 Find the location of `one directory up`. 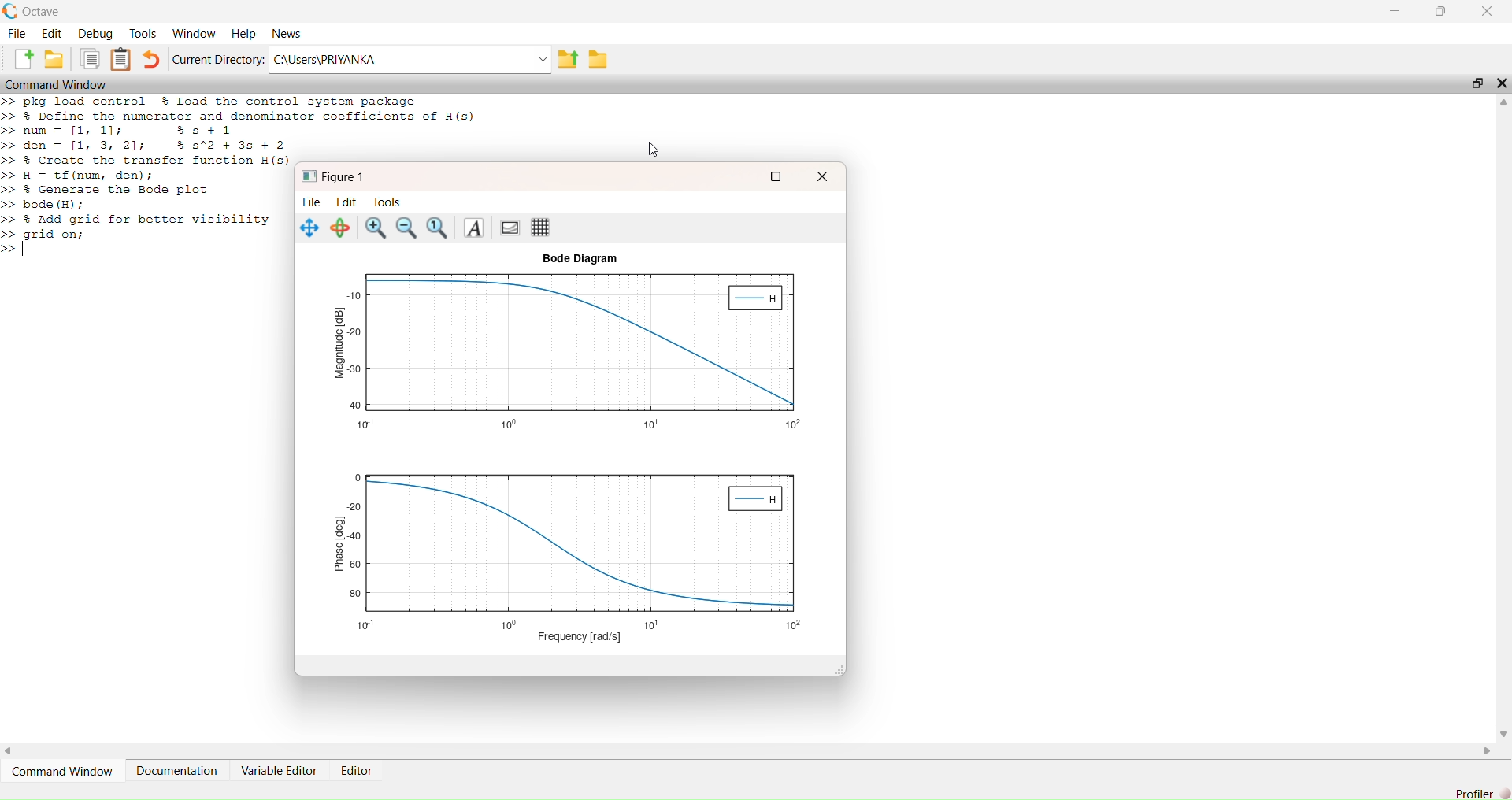

one directory up is located at coordinates (568, 58).